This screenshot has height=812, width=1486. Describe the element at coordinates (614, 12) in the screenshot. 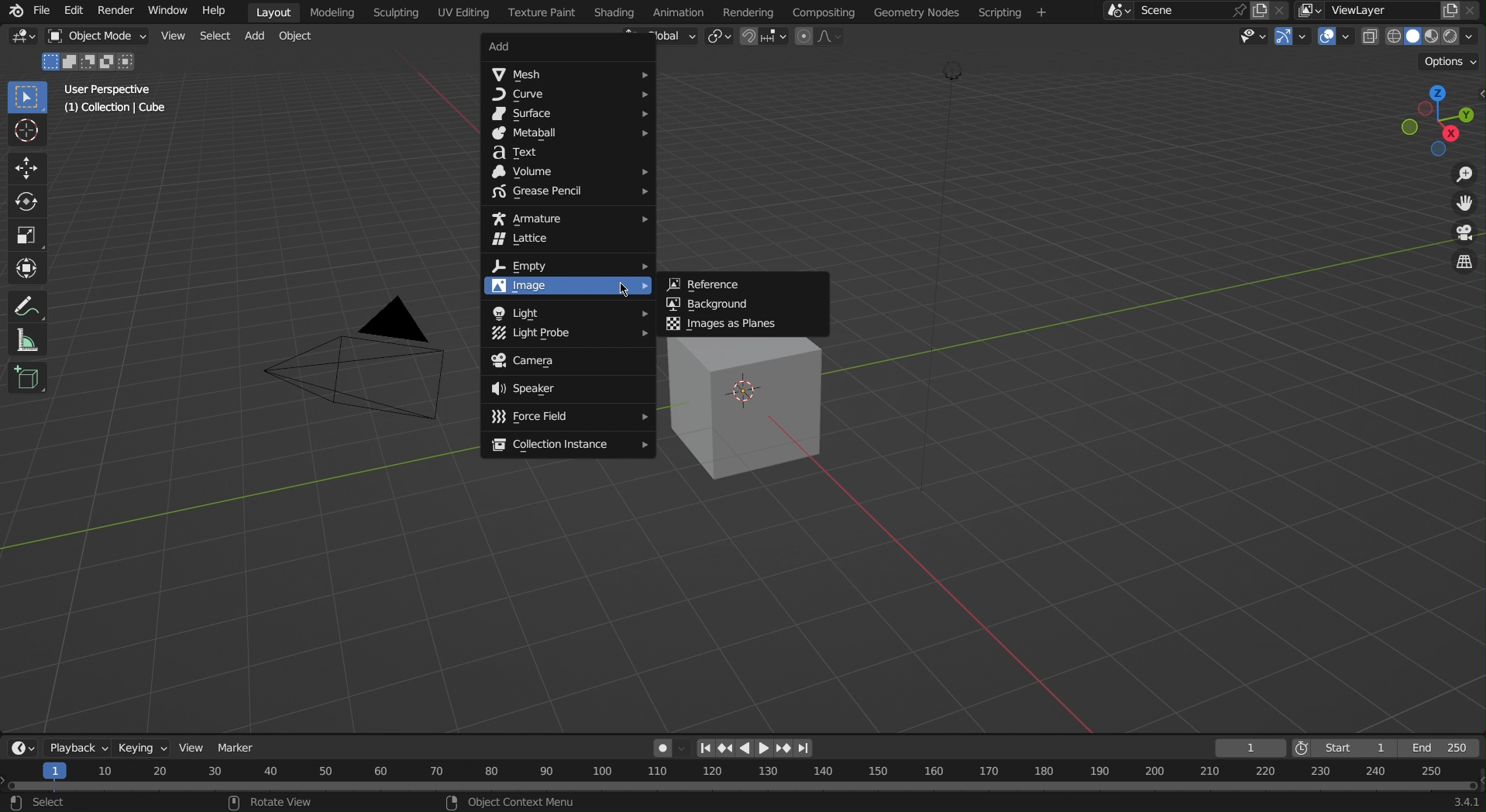

I see `Shading` at that location.